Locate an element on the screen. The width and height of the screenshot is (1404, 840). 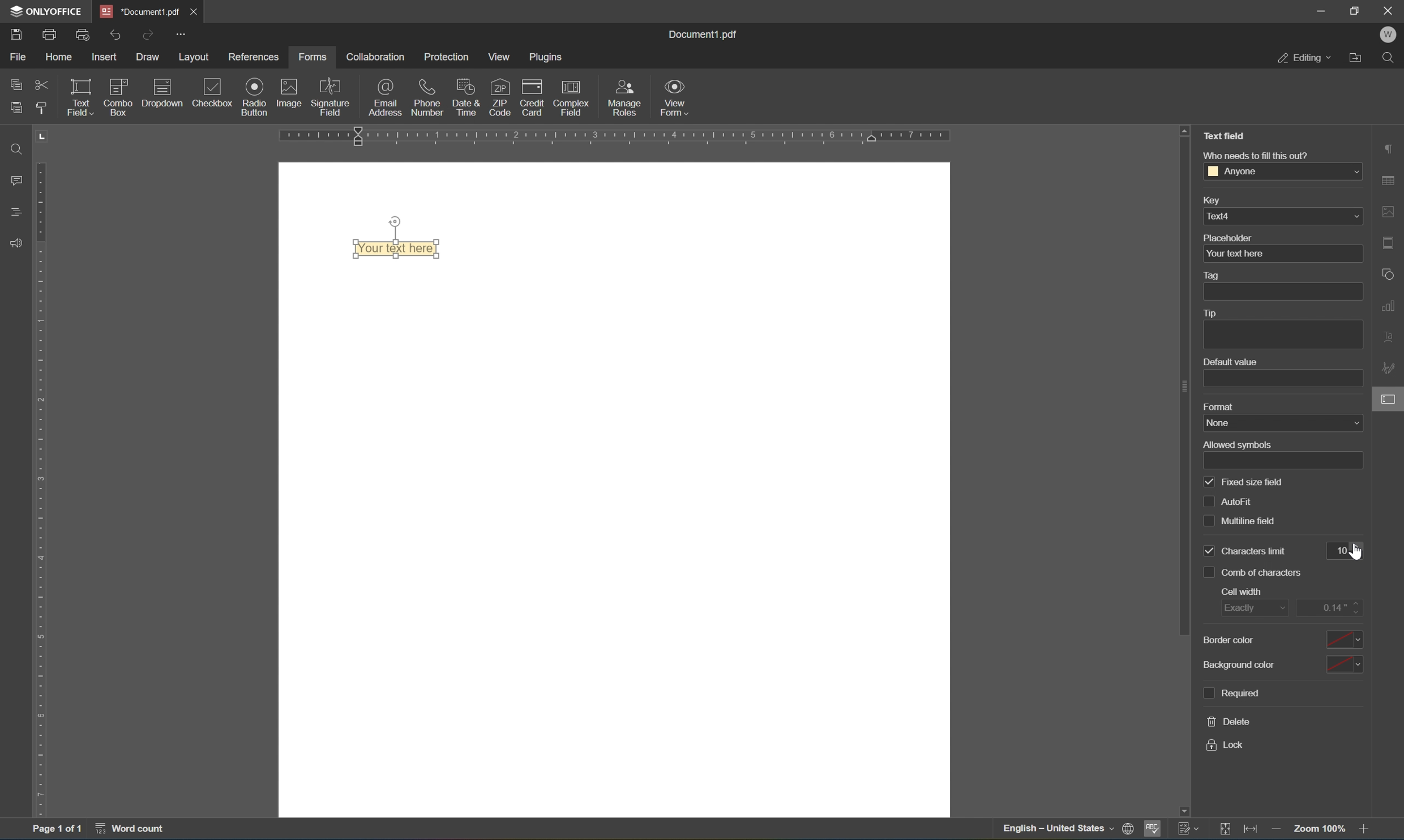
comments is located at coordinates (16, 180).